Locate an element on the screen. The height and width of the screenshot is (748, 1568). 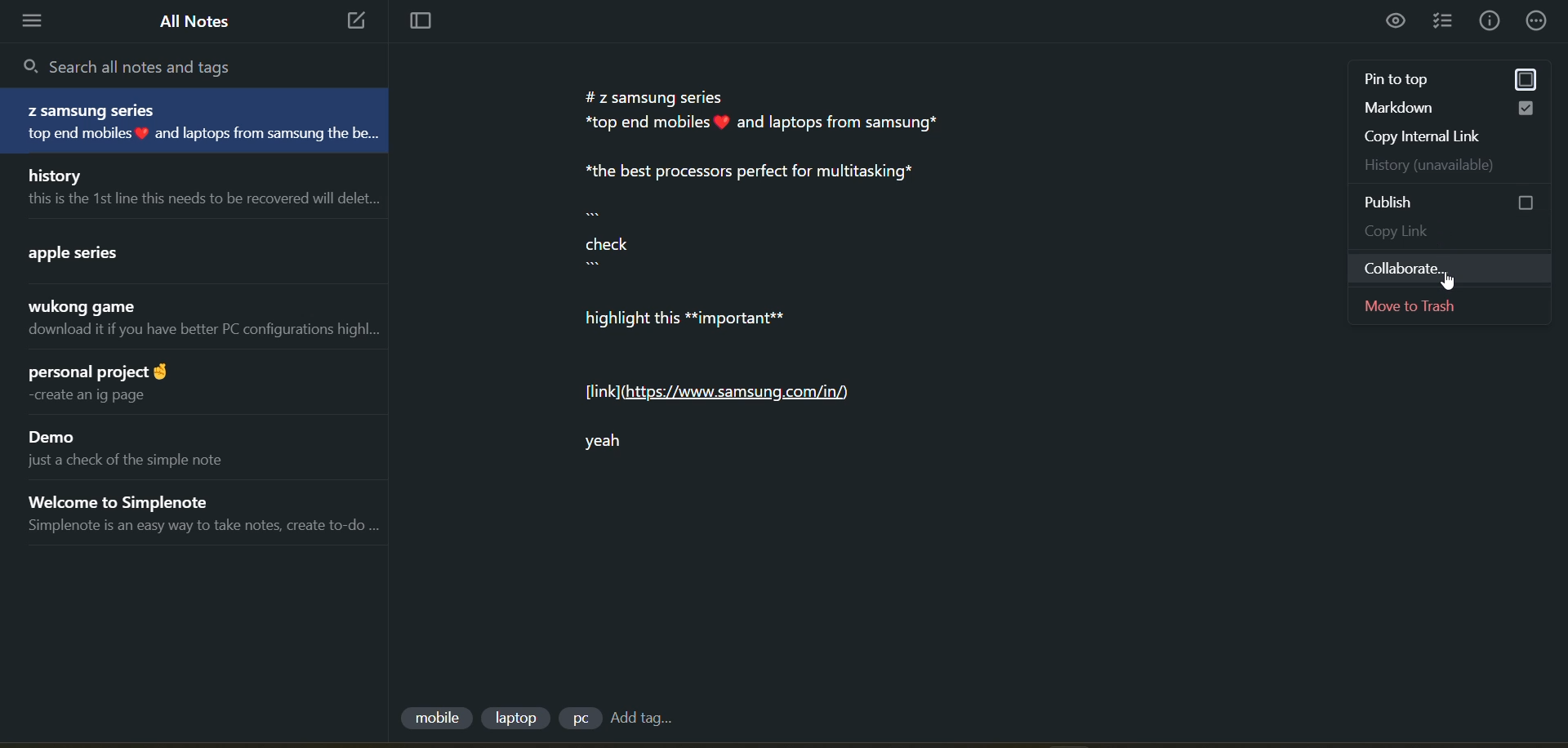
data from current note is located at coordinates (786, 287).